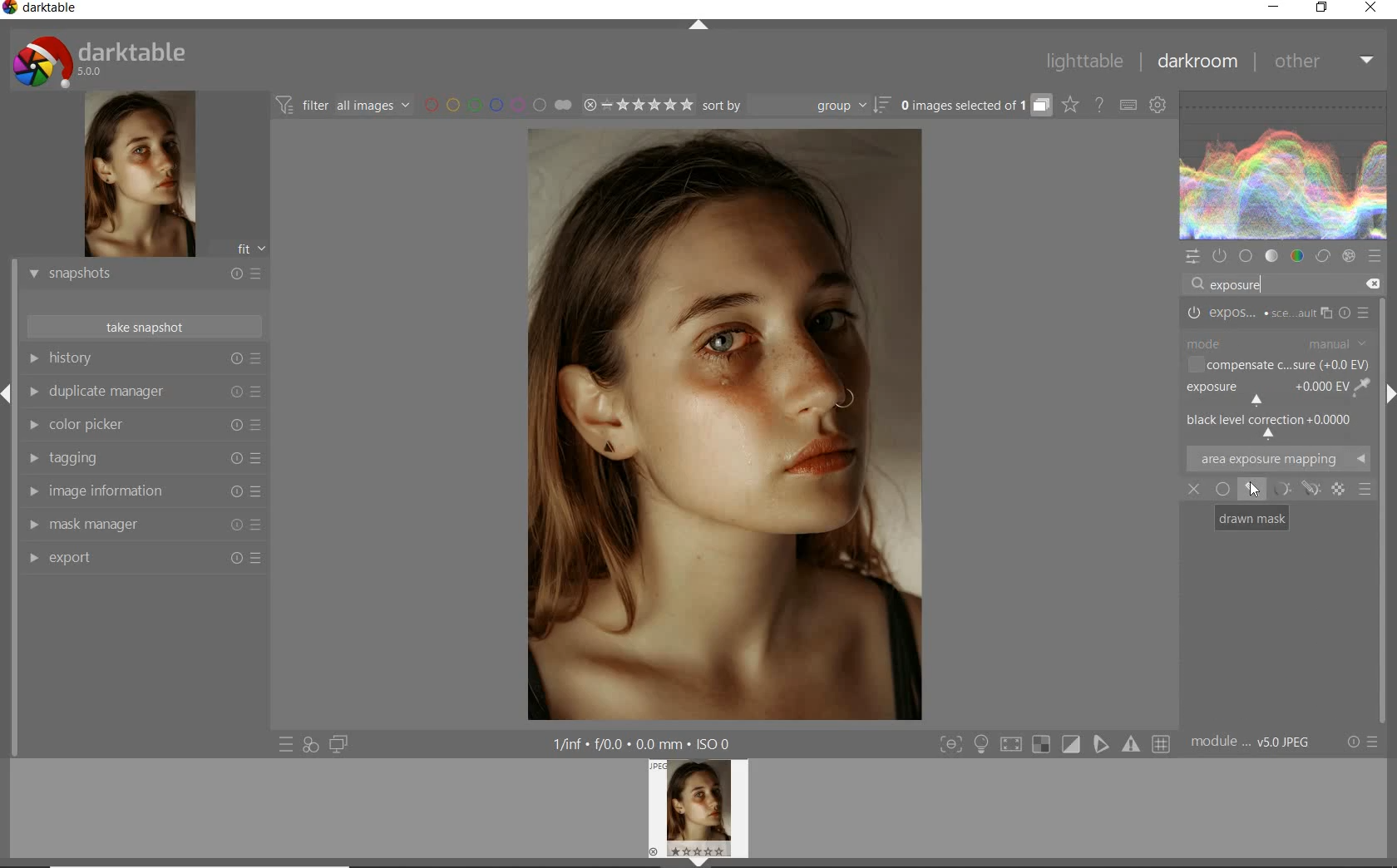 The width and height of the screenshot is (1397, 868). Describe the element at coordinates (701, 813) in the screenshot. I see `image preview` at that location.